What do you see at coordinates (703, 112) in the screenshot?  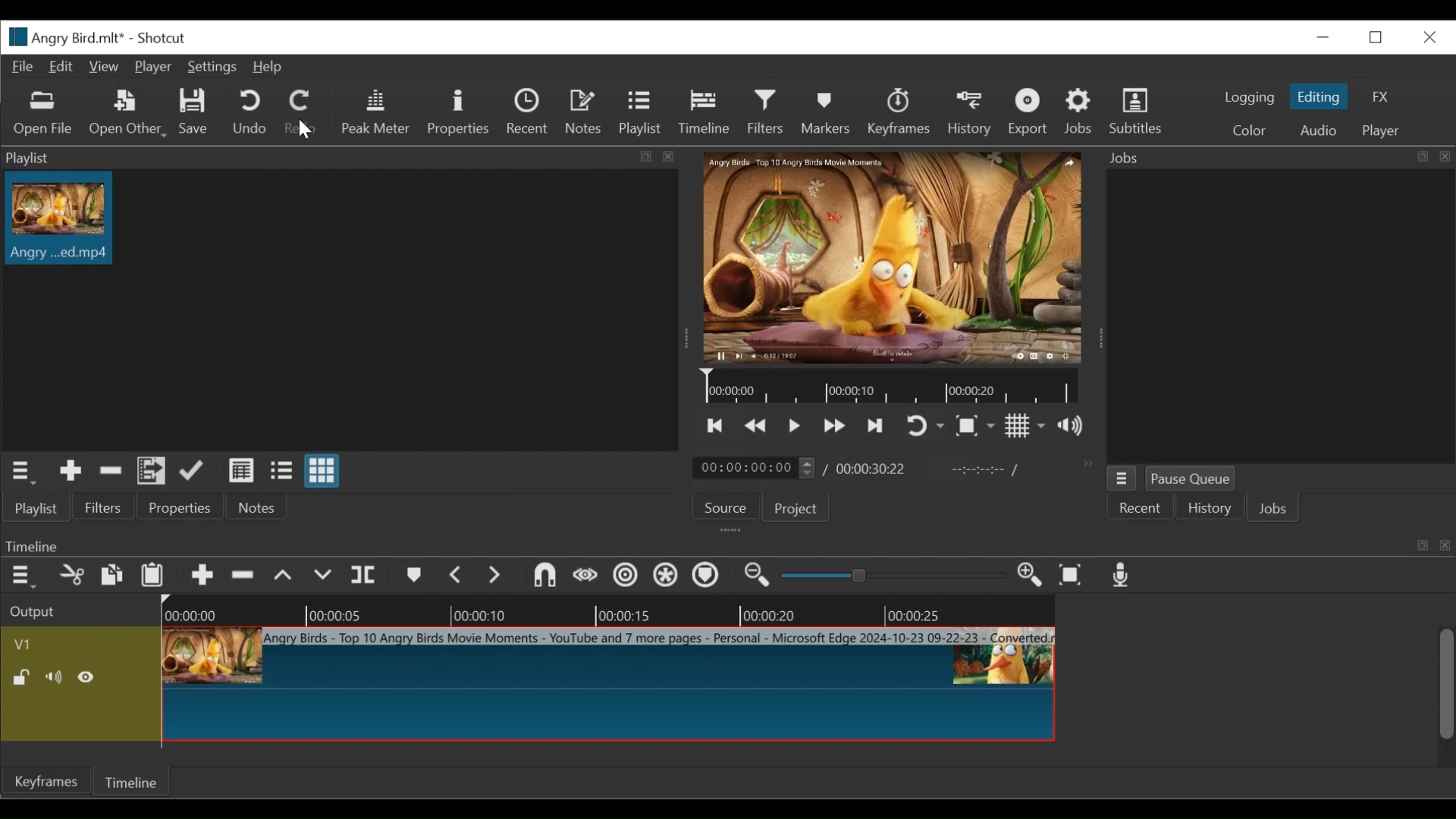 I see `Timeline` at bounding box center [703, 112].